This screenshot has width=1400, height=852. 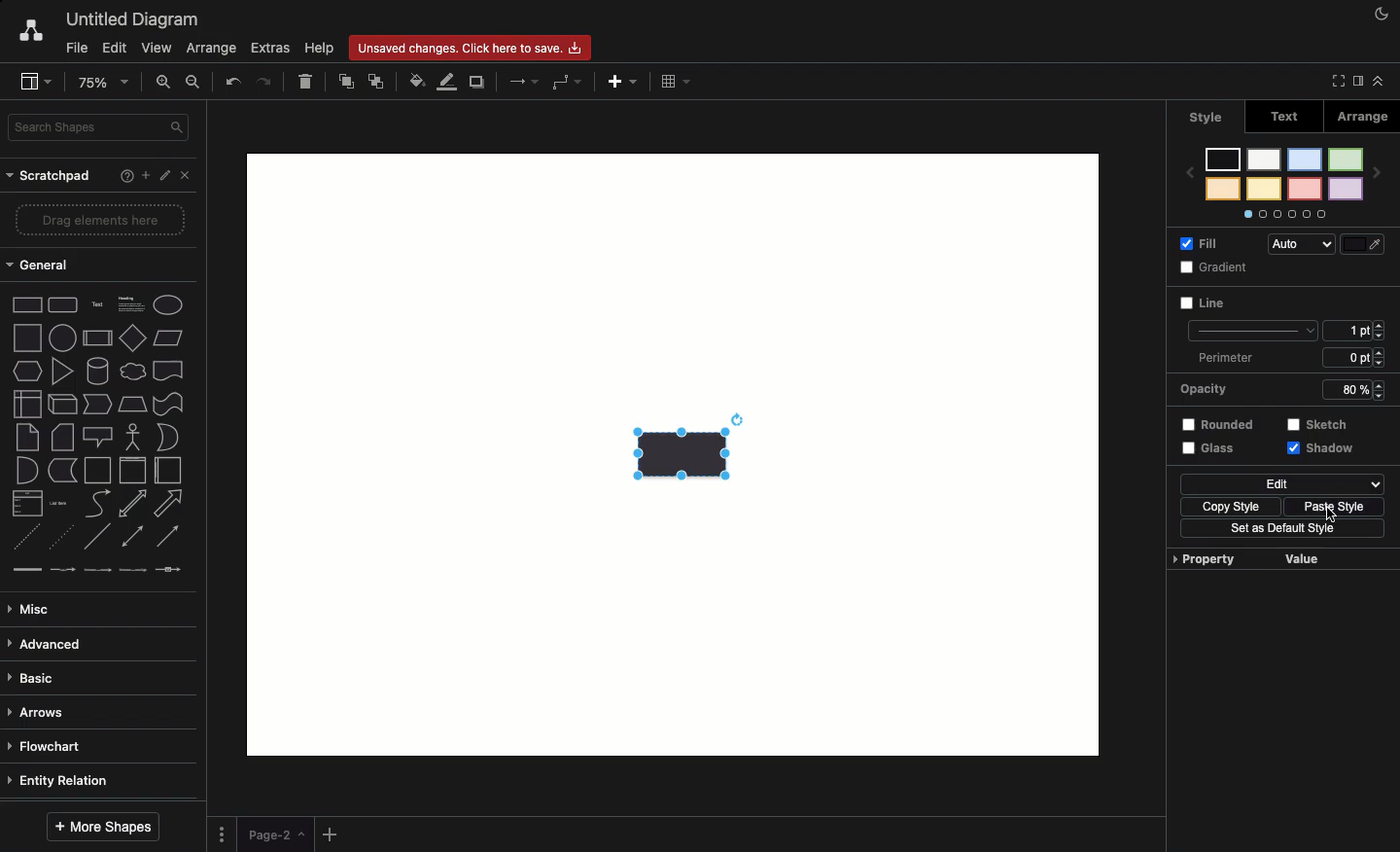 What do you see at coordinates (22, 536) in the screenshot?
I see `dashed line` at bounding box center [22, 536].